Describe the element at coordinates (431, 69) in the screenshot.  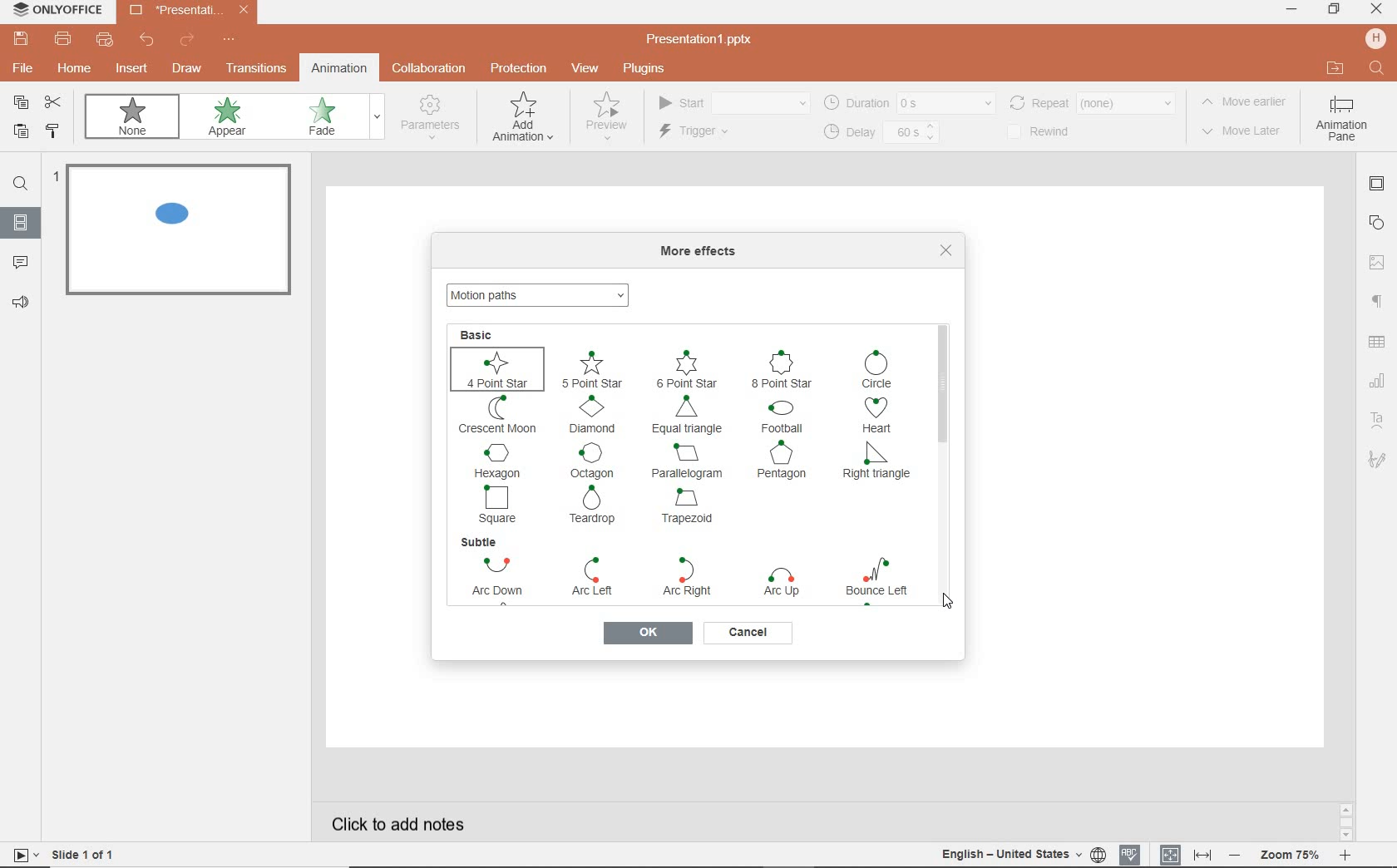
I see `collaboration` at that location.